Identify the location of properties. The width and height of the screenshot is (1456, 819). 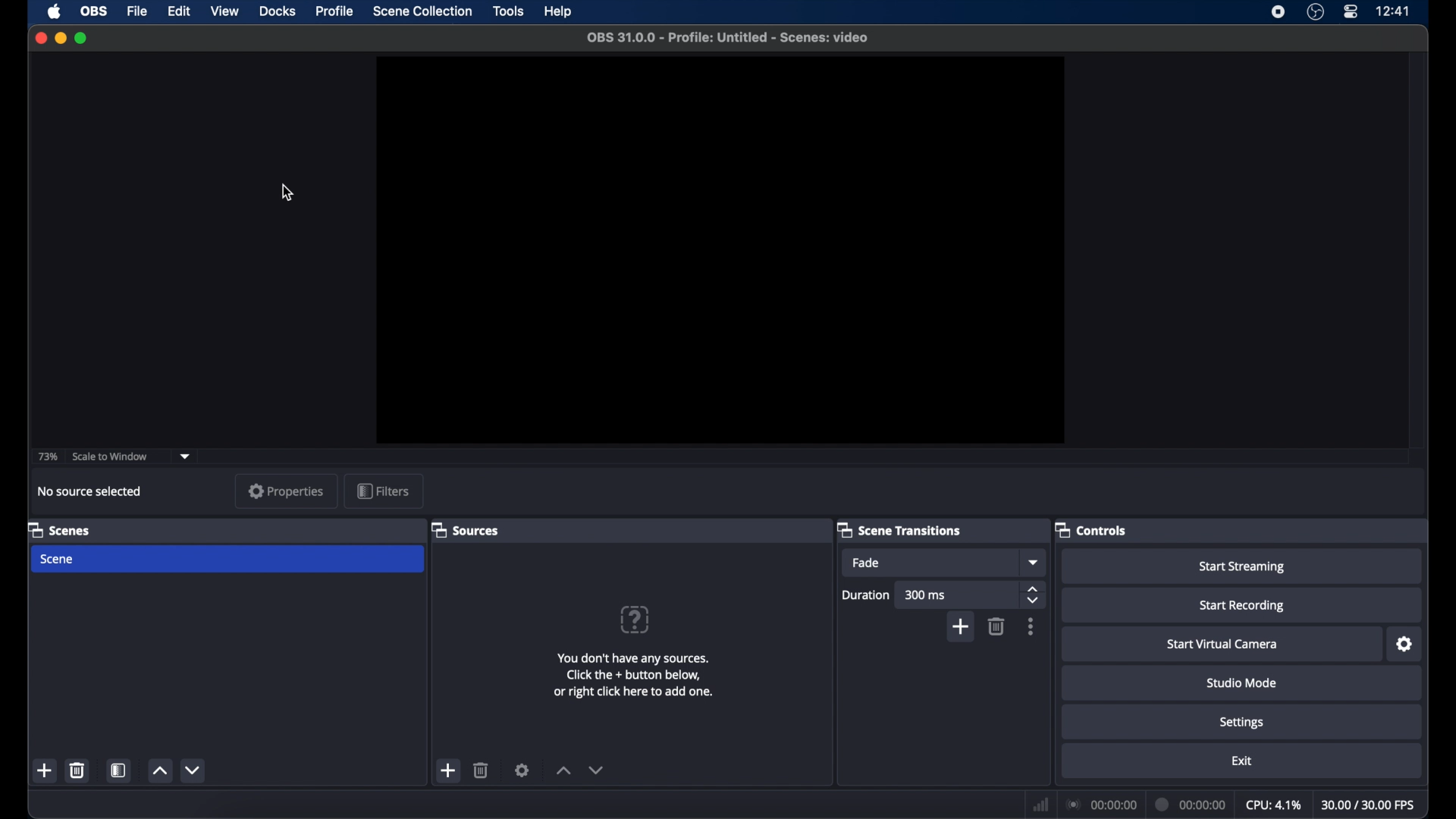
(287, 491).